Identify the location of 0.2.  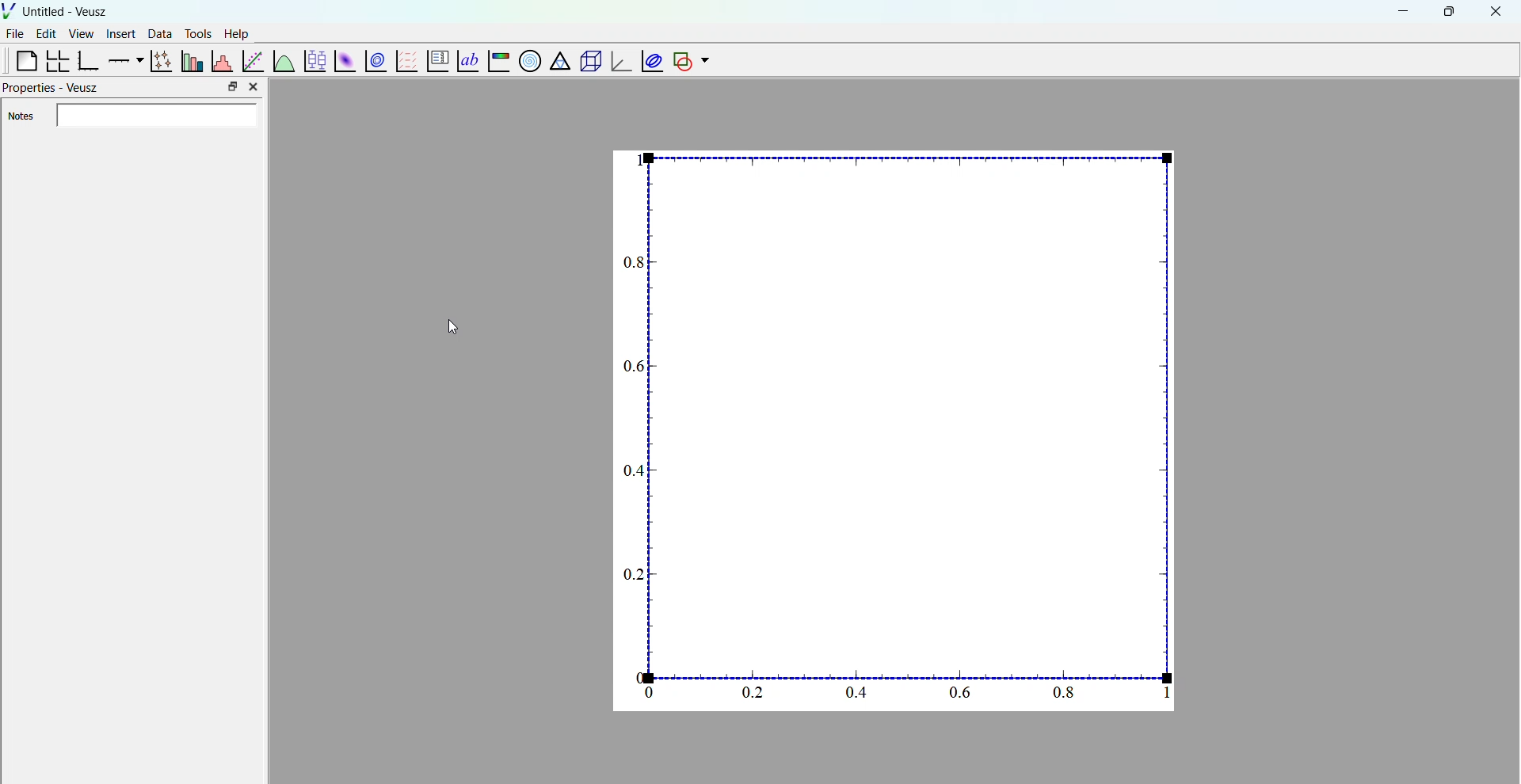
(631, 577).